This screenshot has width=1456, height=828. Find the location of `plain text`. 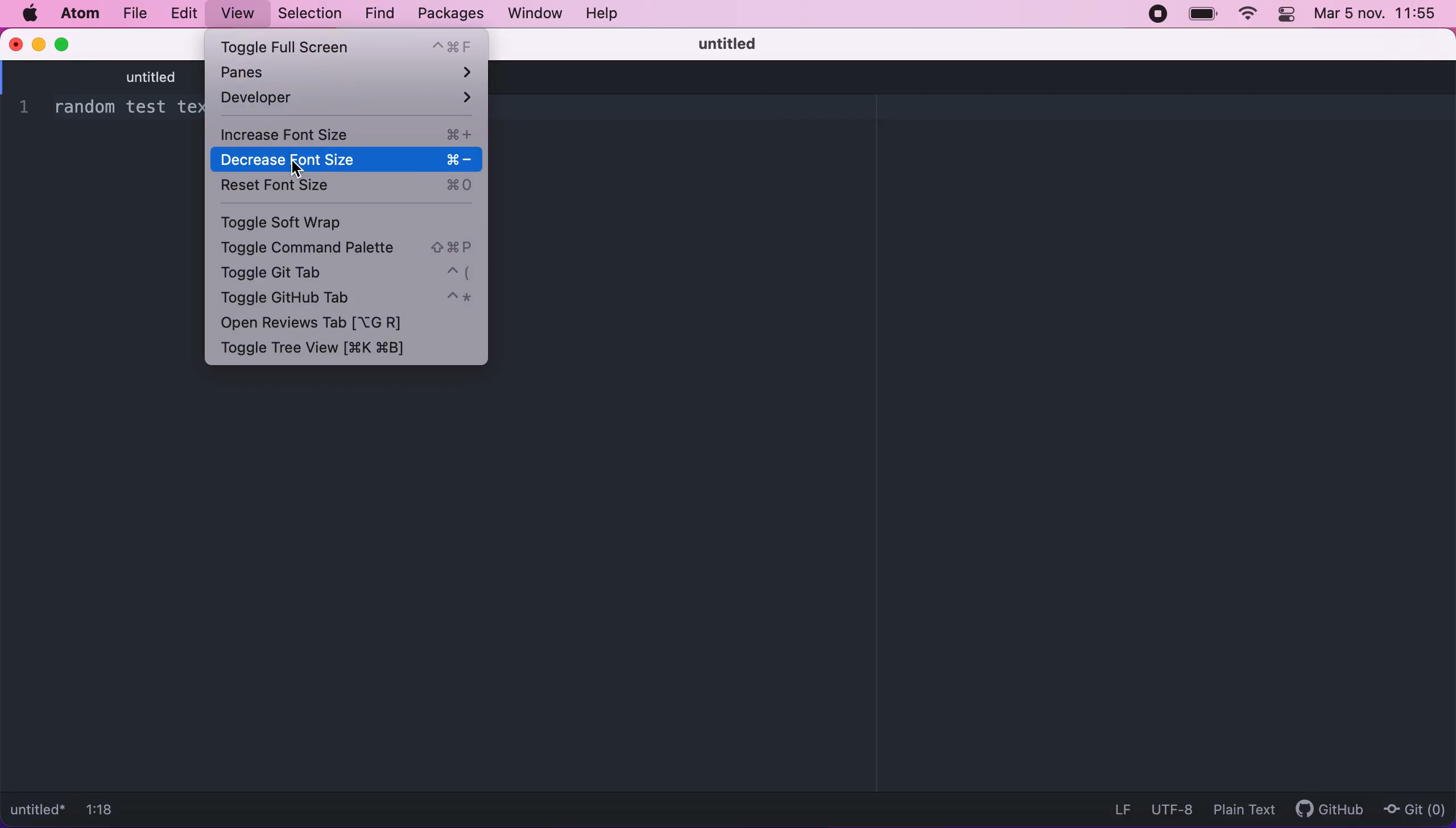

plain text is located at coordinates (1241, 810).